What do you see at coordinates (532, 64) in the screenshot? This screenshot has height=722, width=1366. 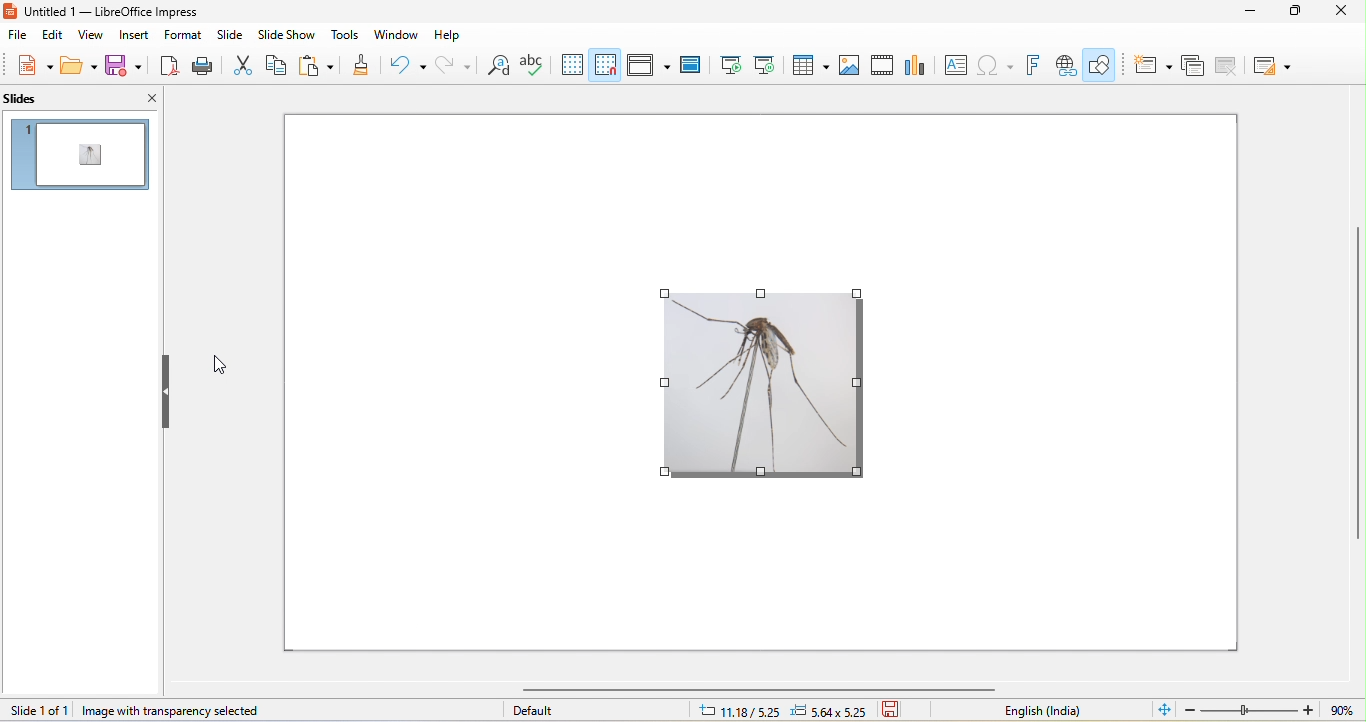 I see `spelling` at bounding box center [532, 64].